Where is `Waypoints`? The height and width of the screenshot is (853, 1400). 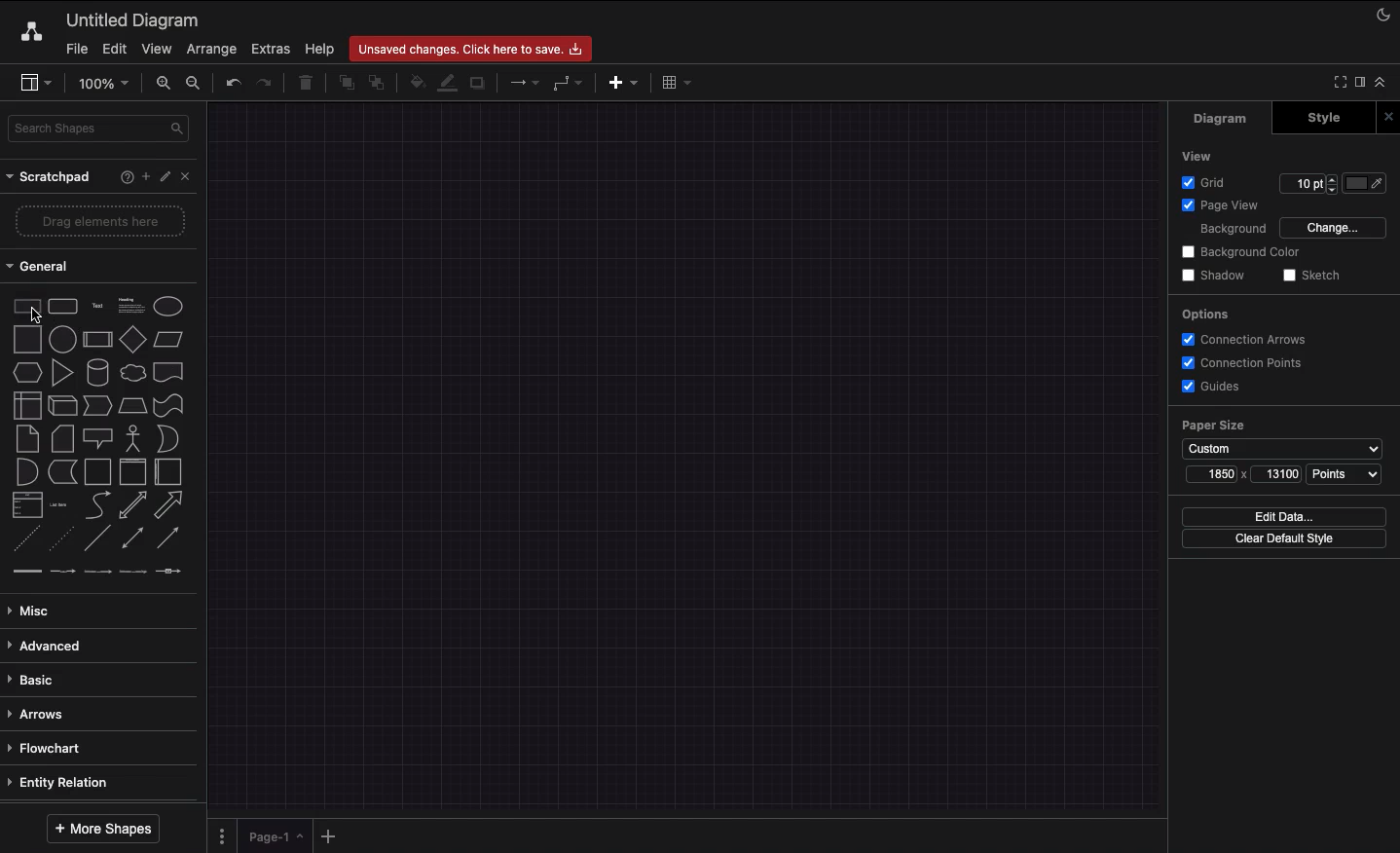
Waypoints is located at coordinates (570, 85).